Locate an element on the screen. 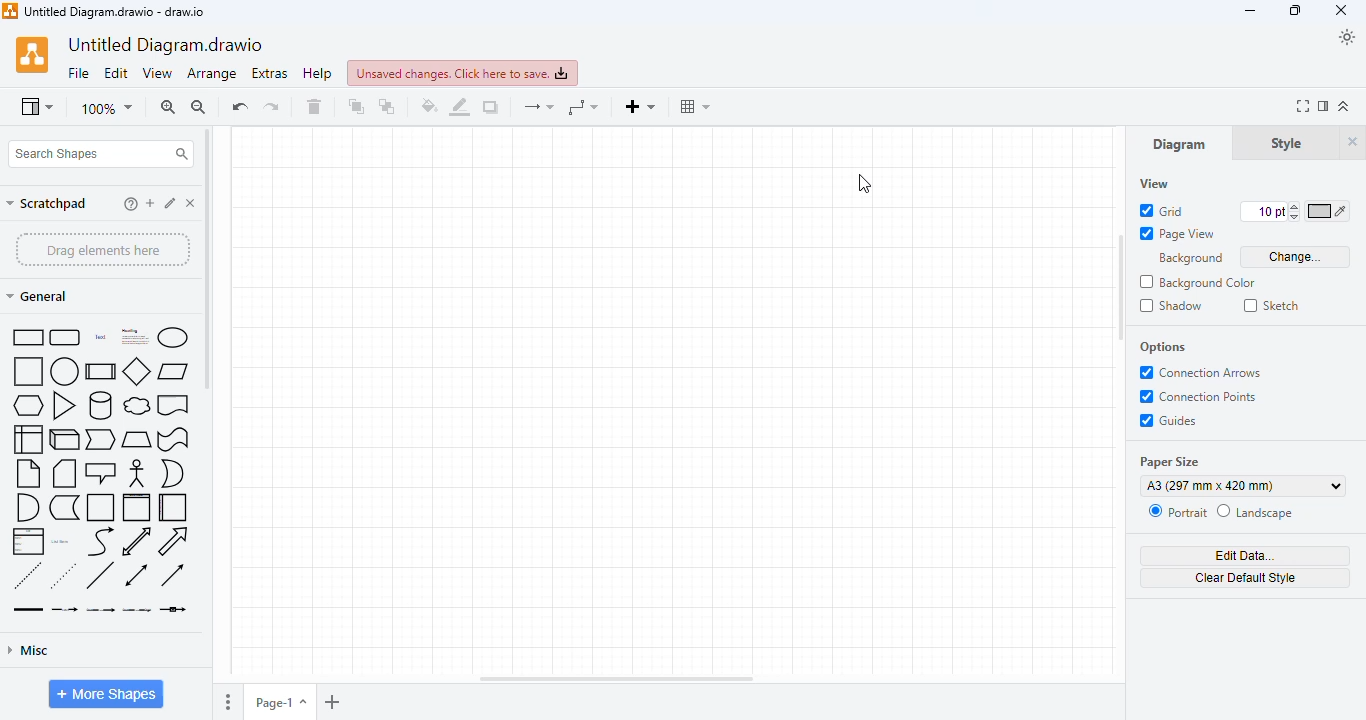  add is located at coordinates (150, 203).